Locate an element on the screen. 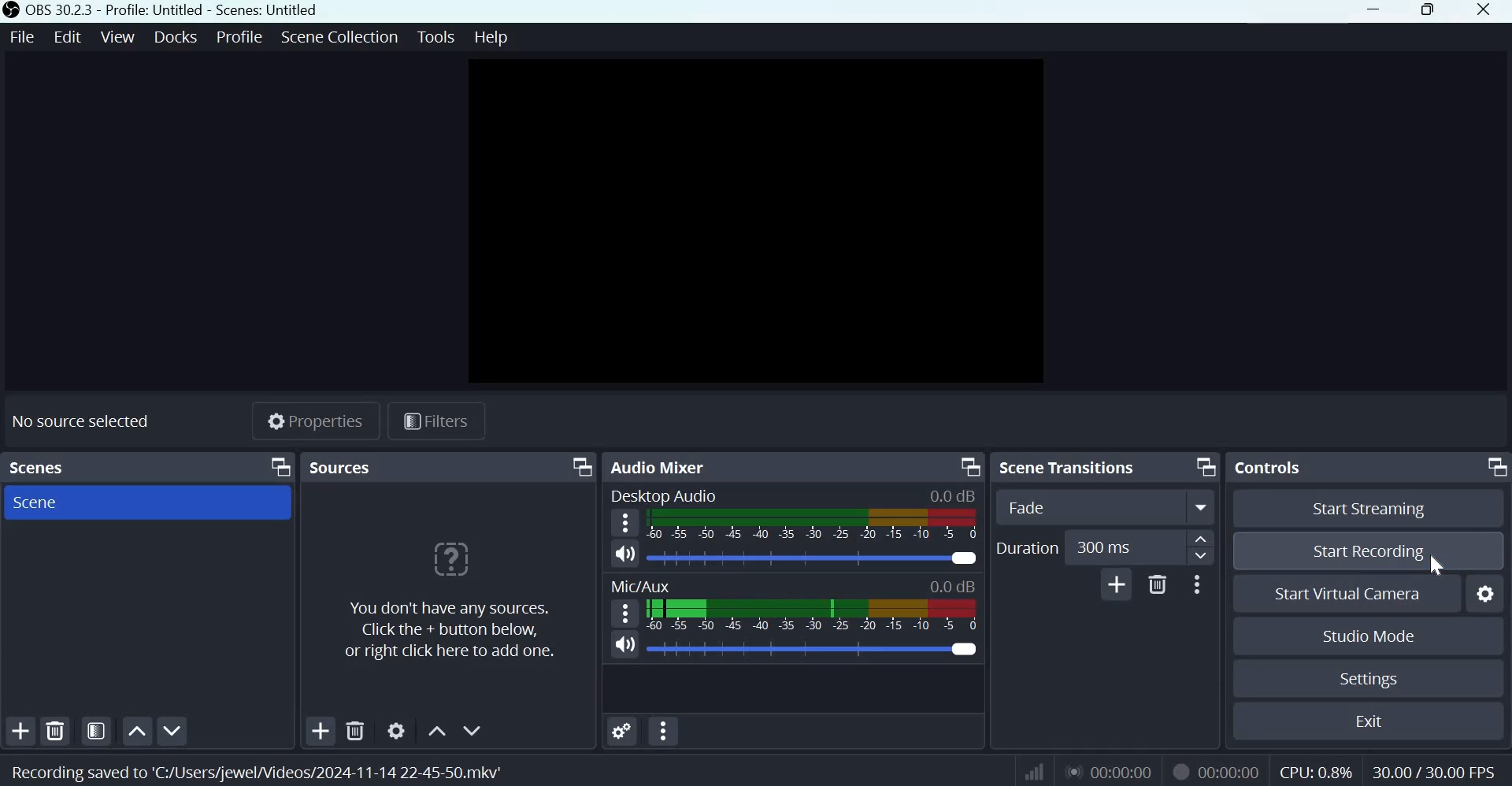 Image resolution: width=1512 pixels, height=786 pixels. Move scene up is located at coordinates (137, 731).